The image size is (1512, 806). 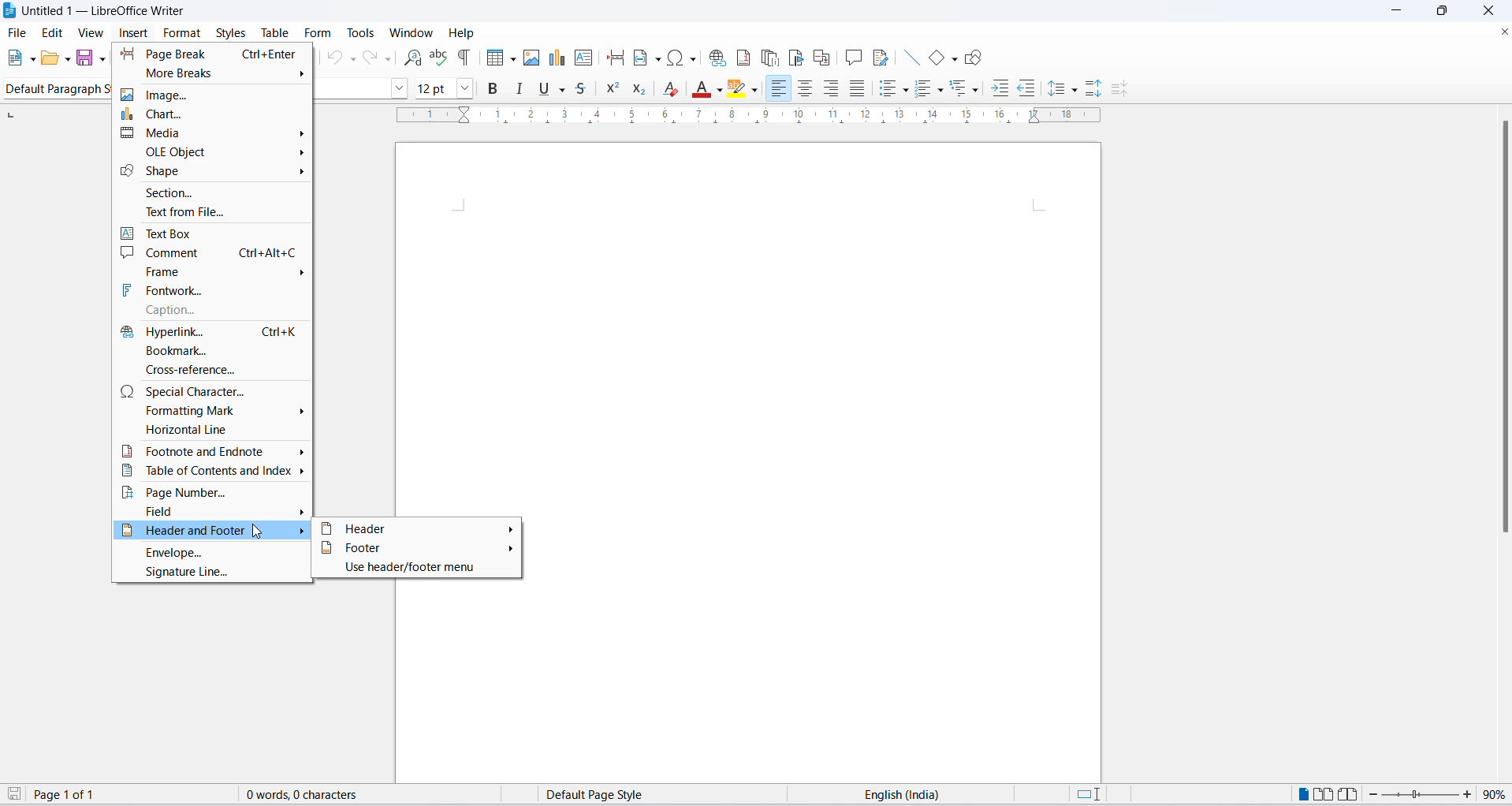 What do you see at coordinates (408, 33) in the screenshot?
I see `window` at bounding box center [408, 33].